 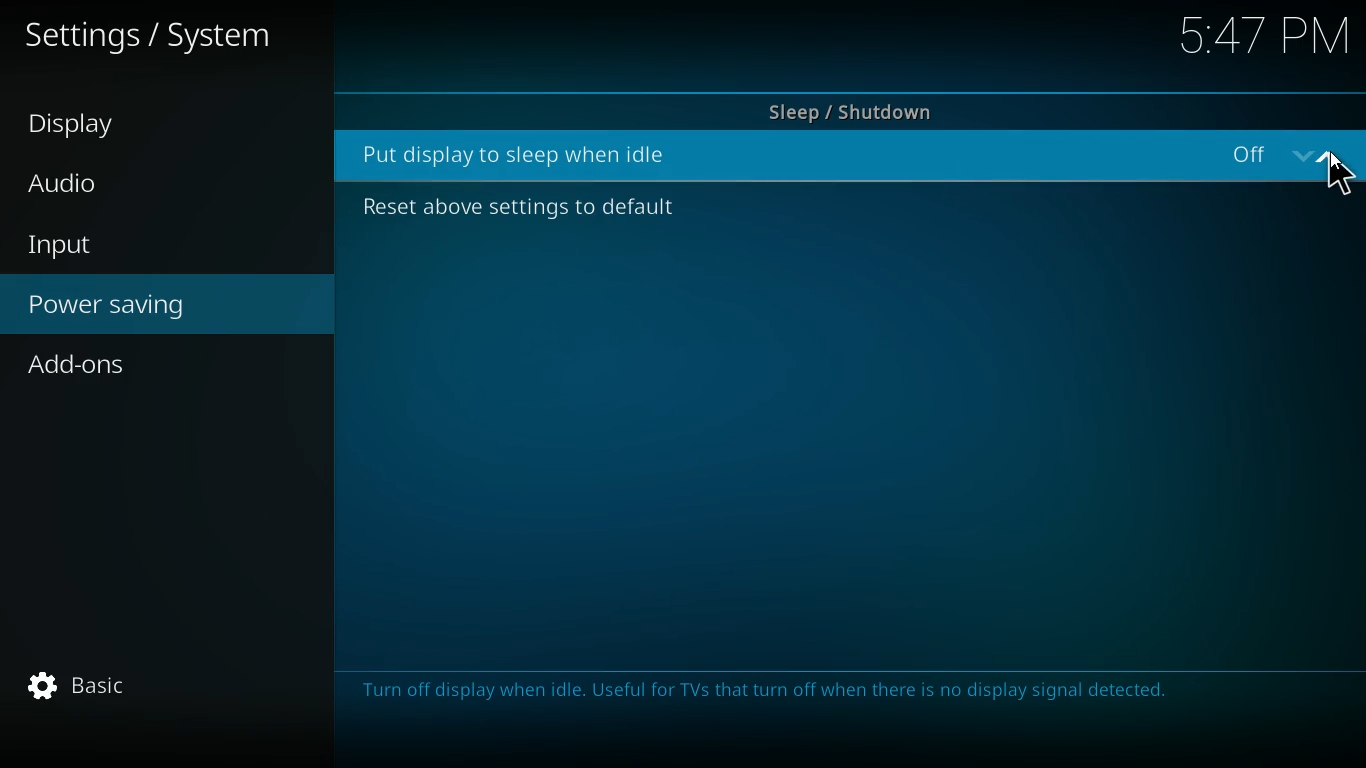 What do you see at coordinates (139, 245) in the screenshot?
I see `input` at bounding box center [139, 245].